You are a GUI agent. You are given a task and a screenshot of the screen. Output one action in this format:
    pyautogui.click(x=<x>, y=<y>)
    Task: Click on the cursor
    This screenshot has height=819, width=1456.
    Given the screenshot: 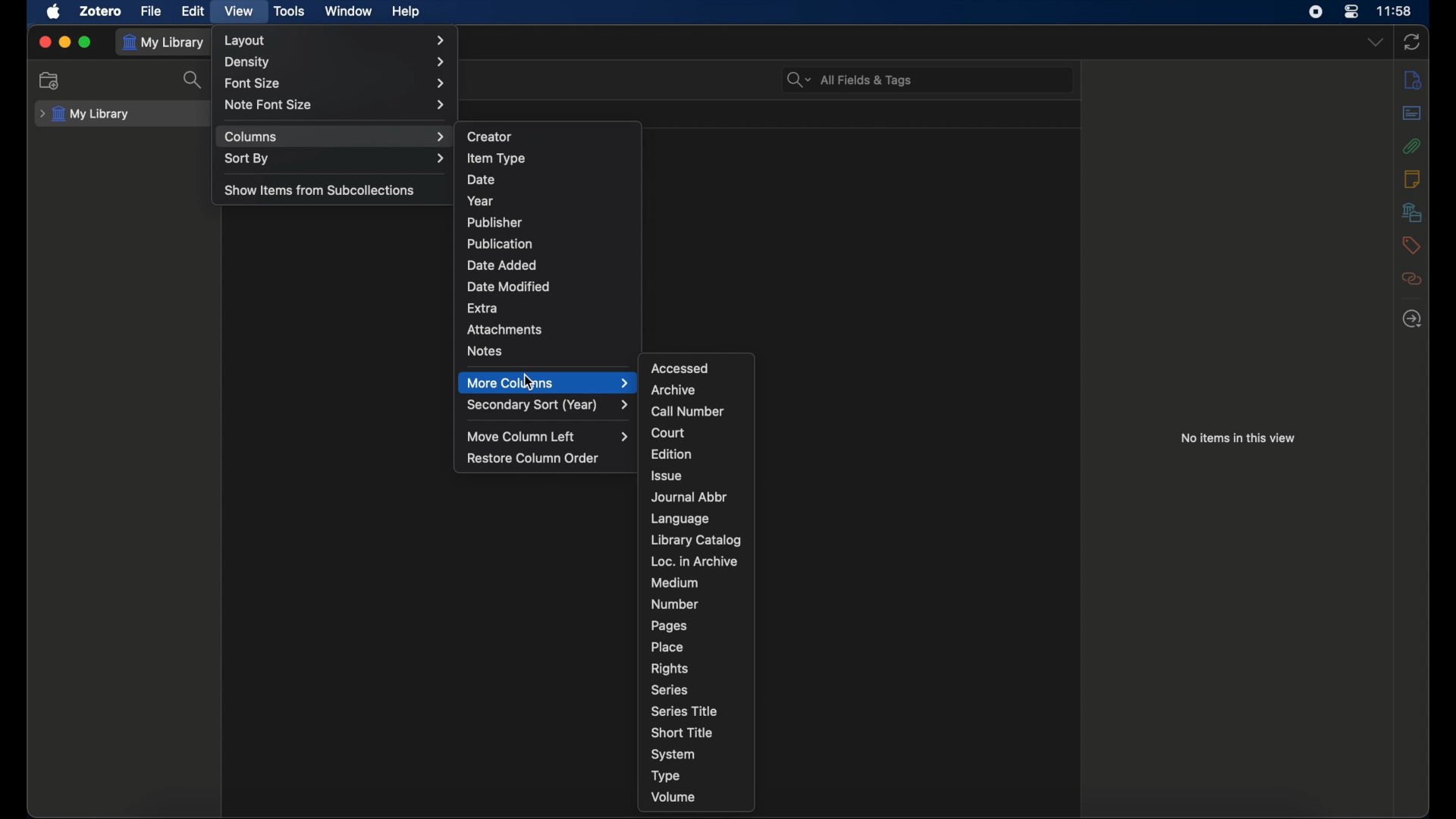 What is the action you would take?
    pyautogui.click(x=526, y=378)
    